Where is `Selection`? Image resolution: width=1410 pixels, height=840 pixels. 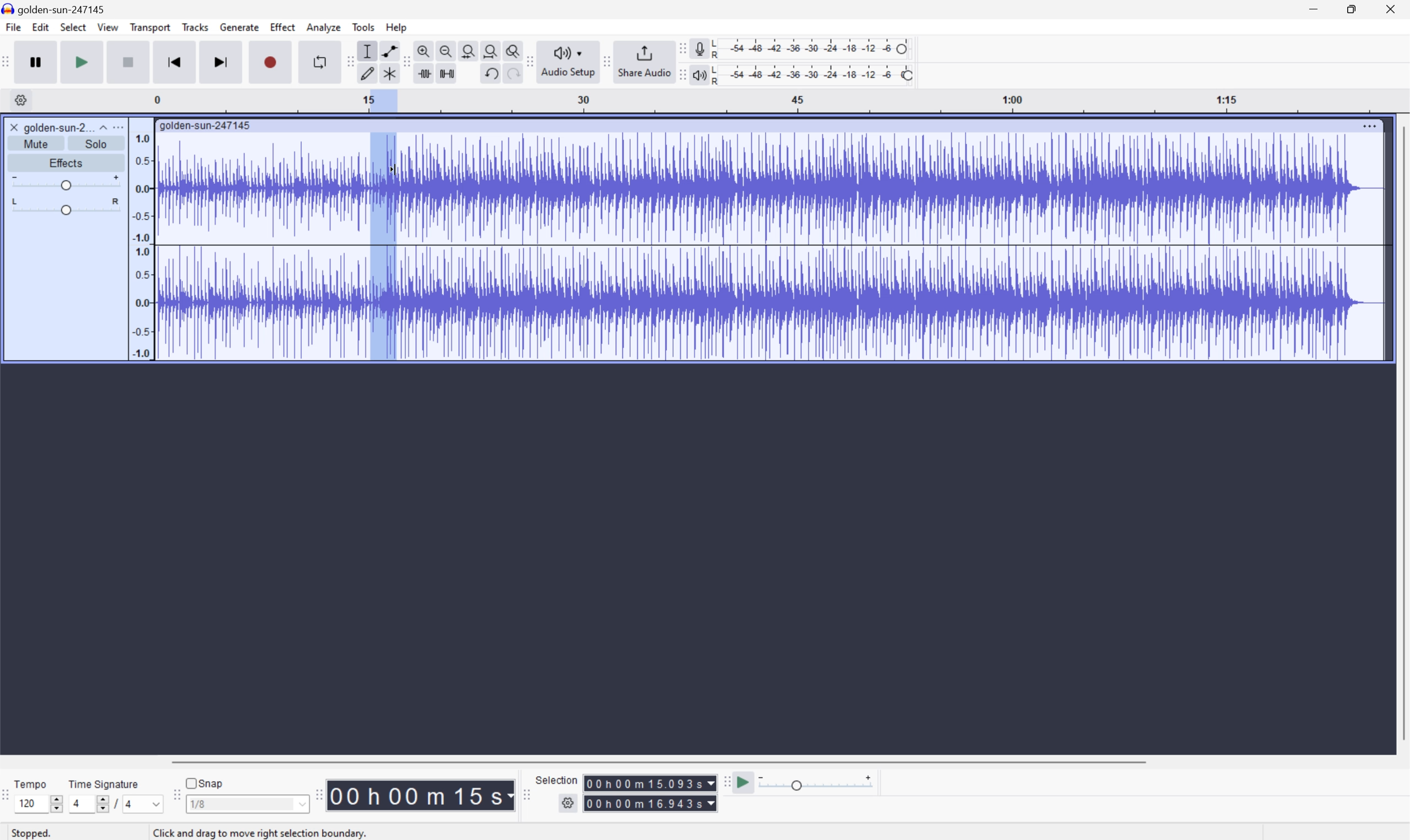
Selection is located at coordinates (651, 793).